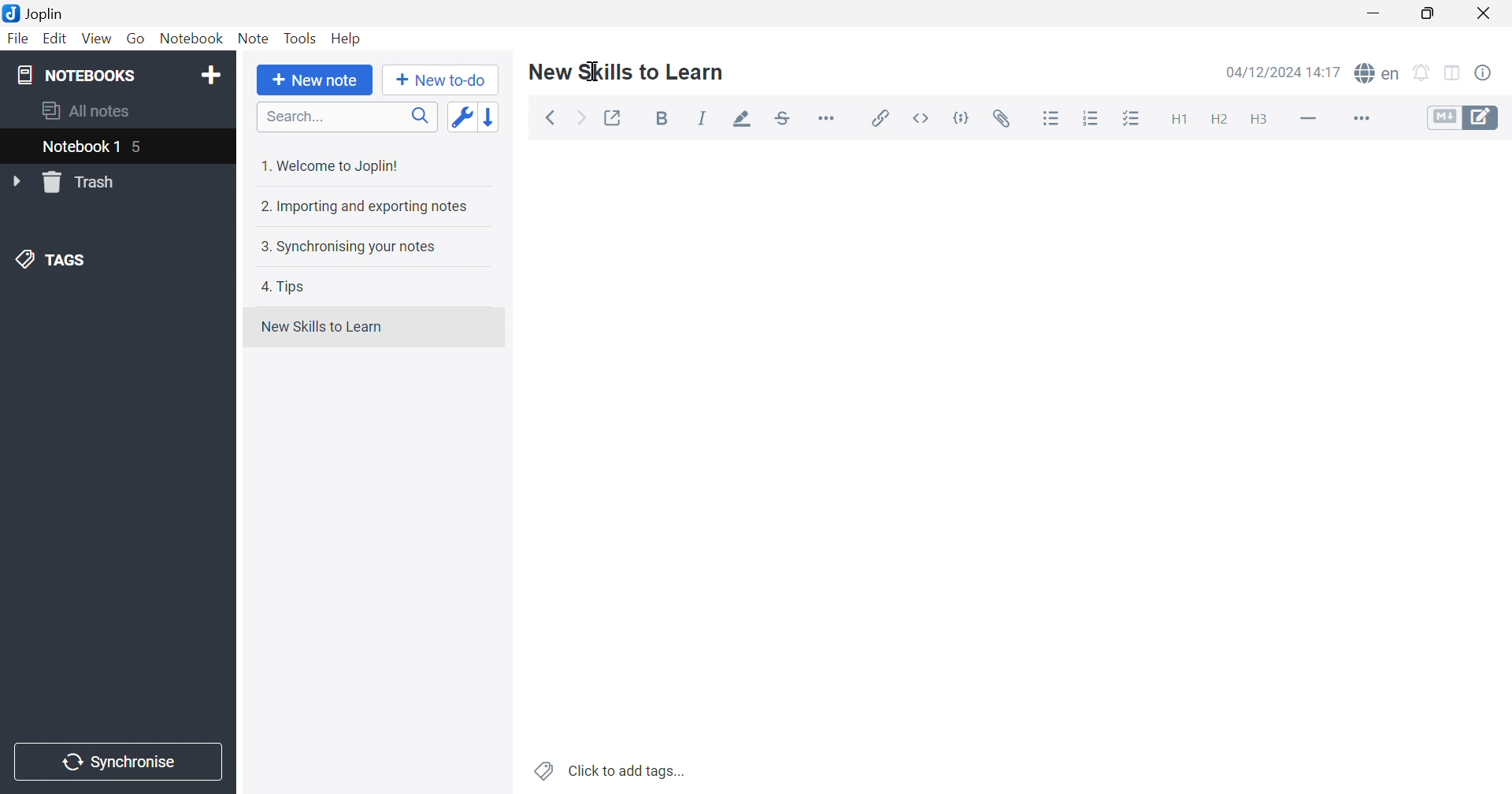 The width and height of the screenshot is (1512, 794). I want to click on Notebook1, so click(78, 146).